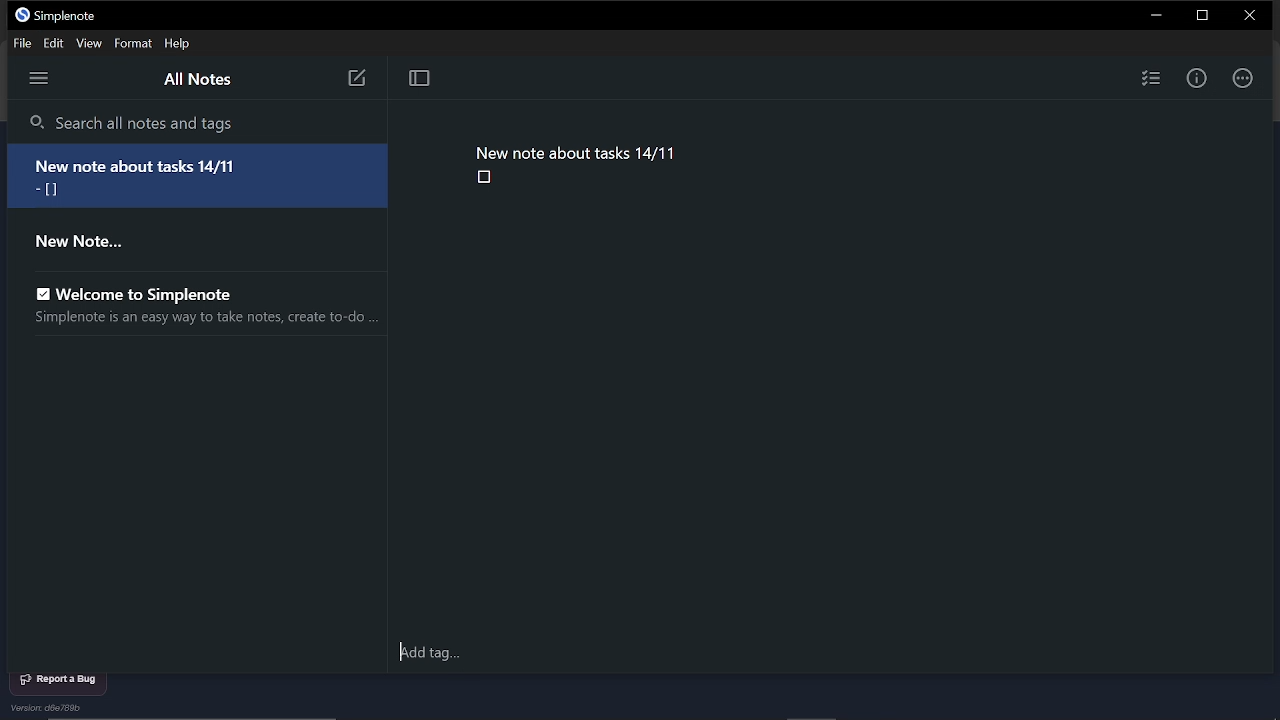 The image size is (1280, 720). I want to click on Welcome to Simplenote, so click(143, 294).